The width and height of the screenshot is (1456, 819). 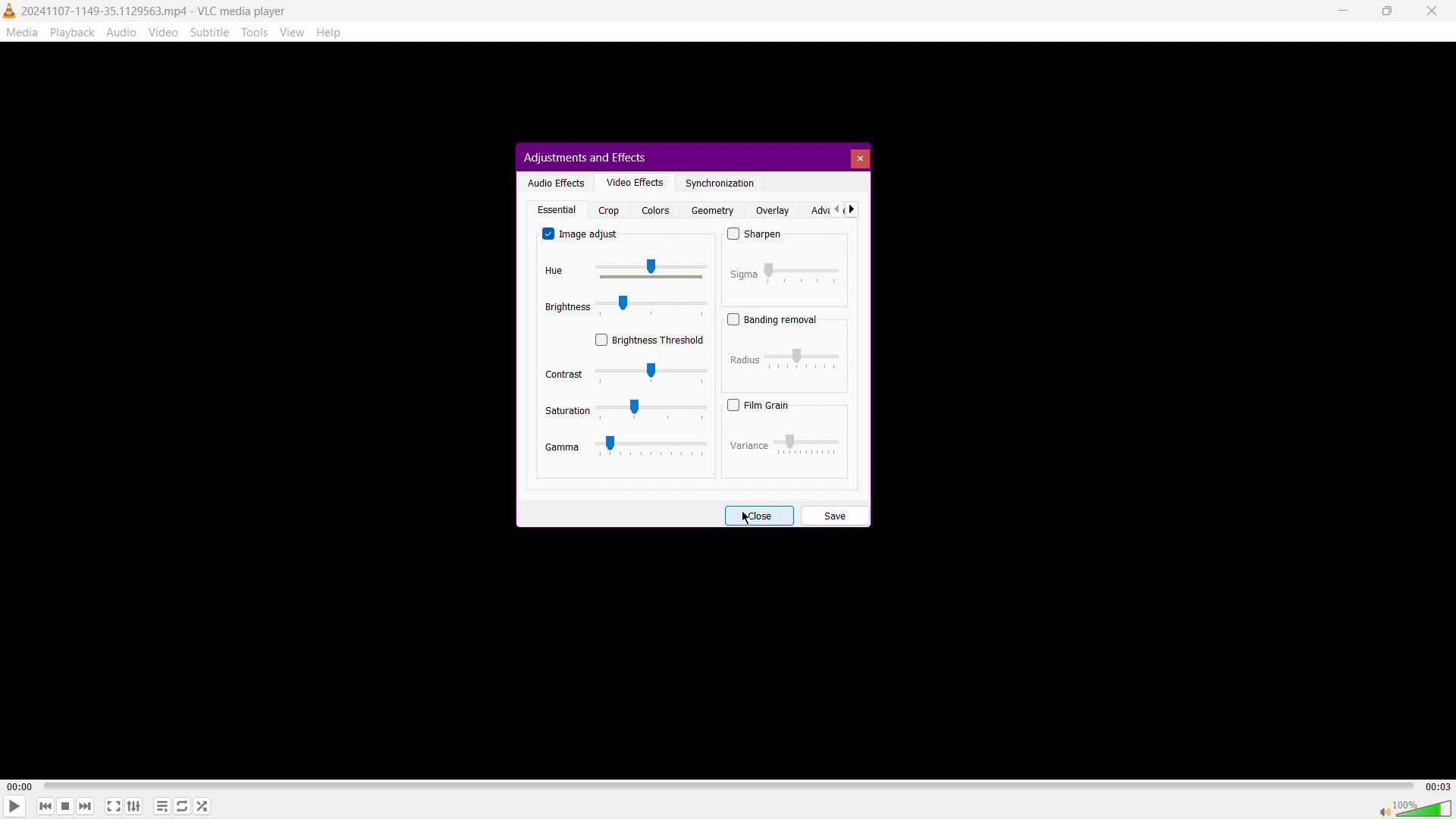 What do you see at coordinates (113, 806) in the screenshot?
I see `Fullscreen` at bounding box center [113, 806].